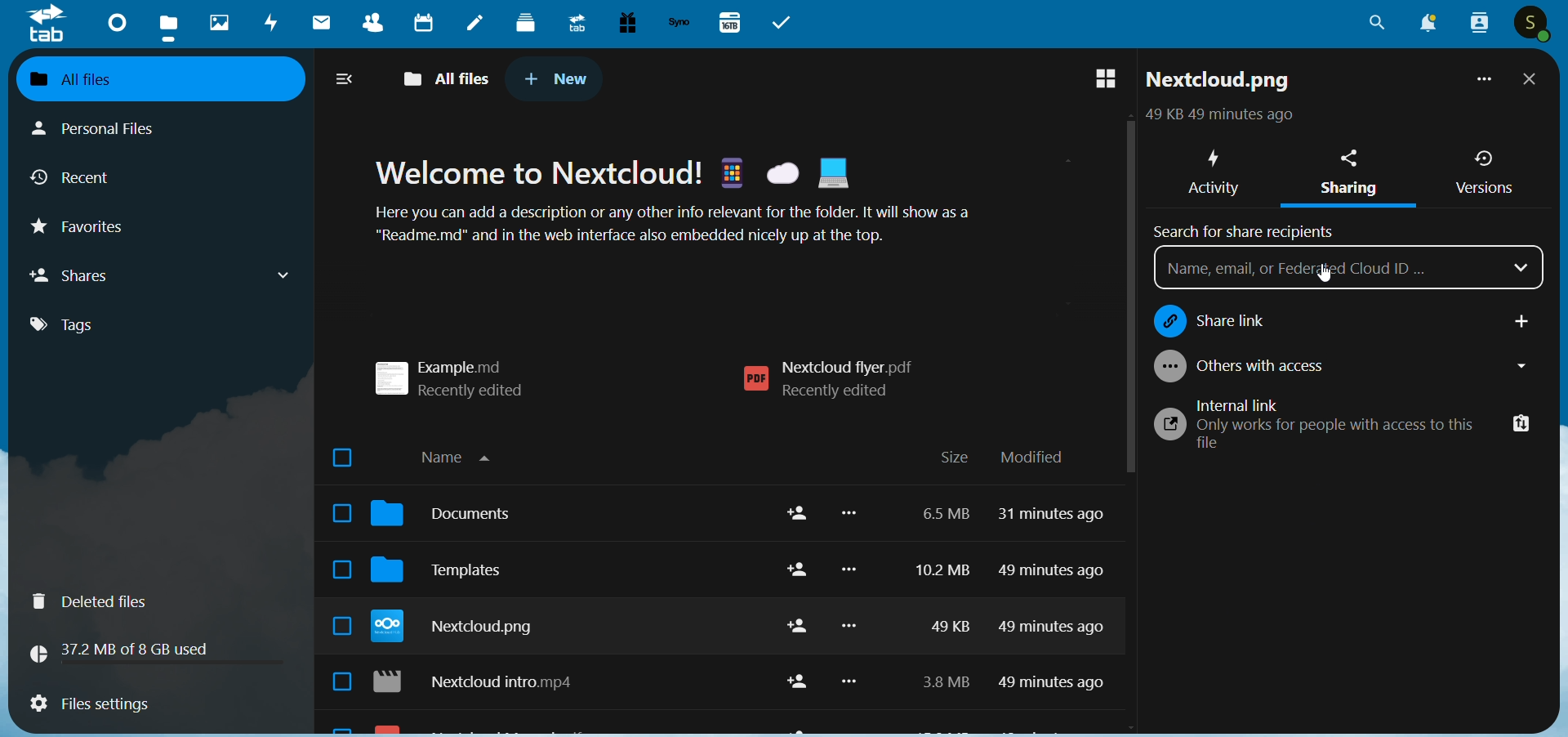 Image resolution: width=1568 pixels, height=737 pixels. What do you see at coordinates (623, 23) in the screenshot?
I see `free trial` at bounding box center [623, 23].